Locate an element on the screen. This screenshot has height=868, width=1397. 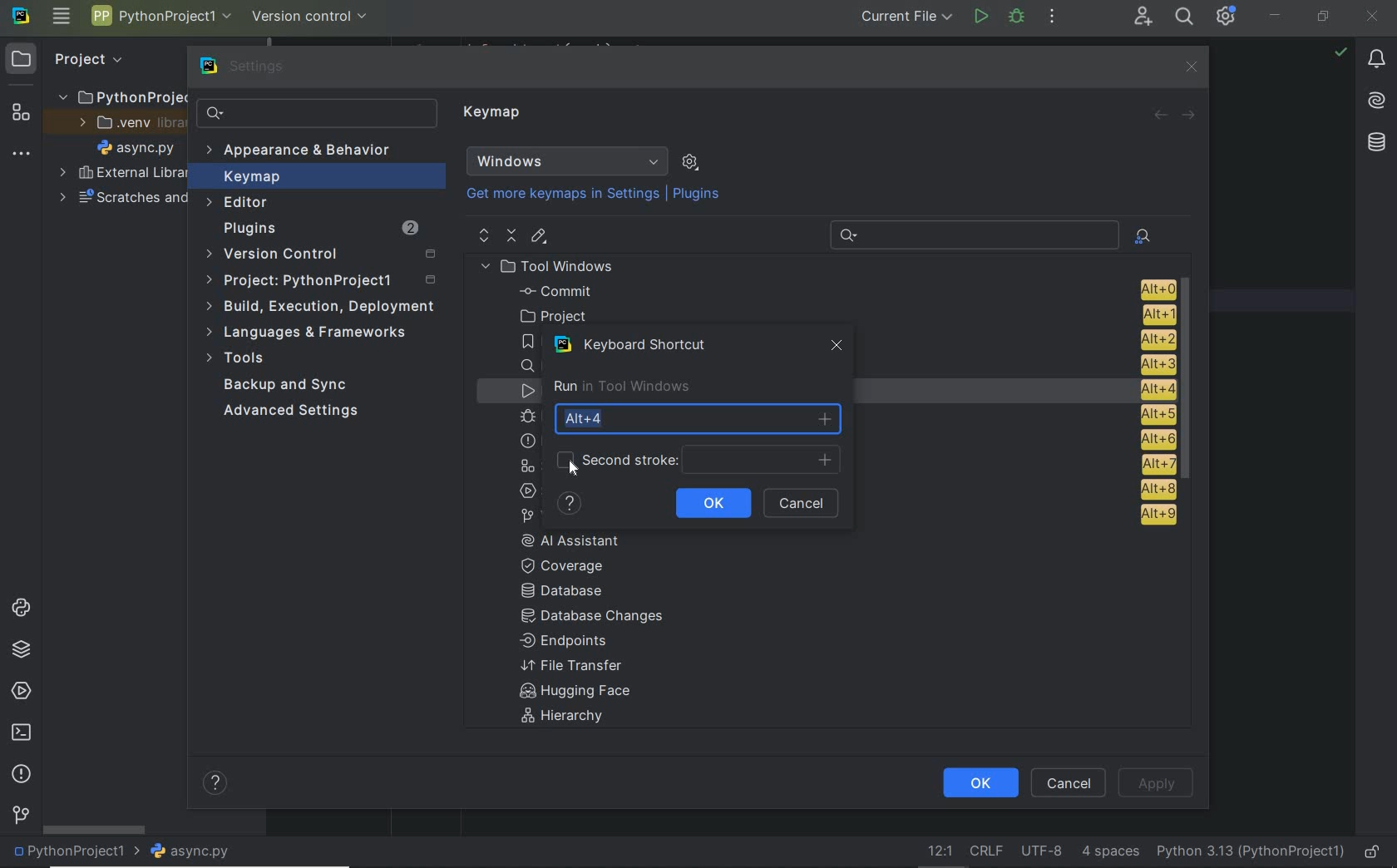
Tools is located at coordinates (239, 360).